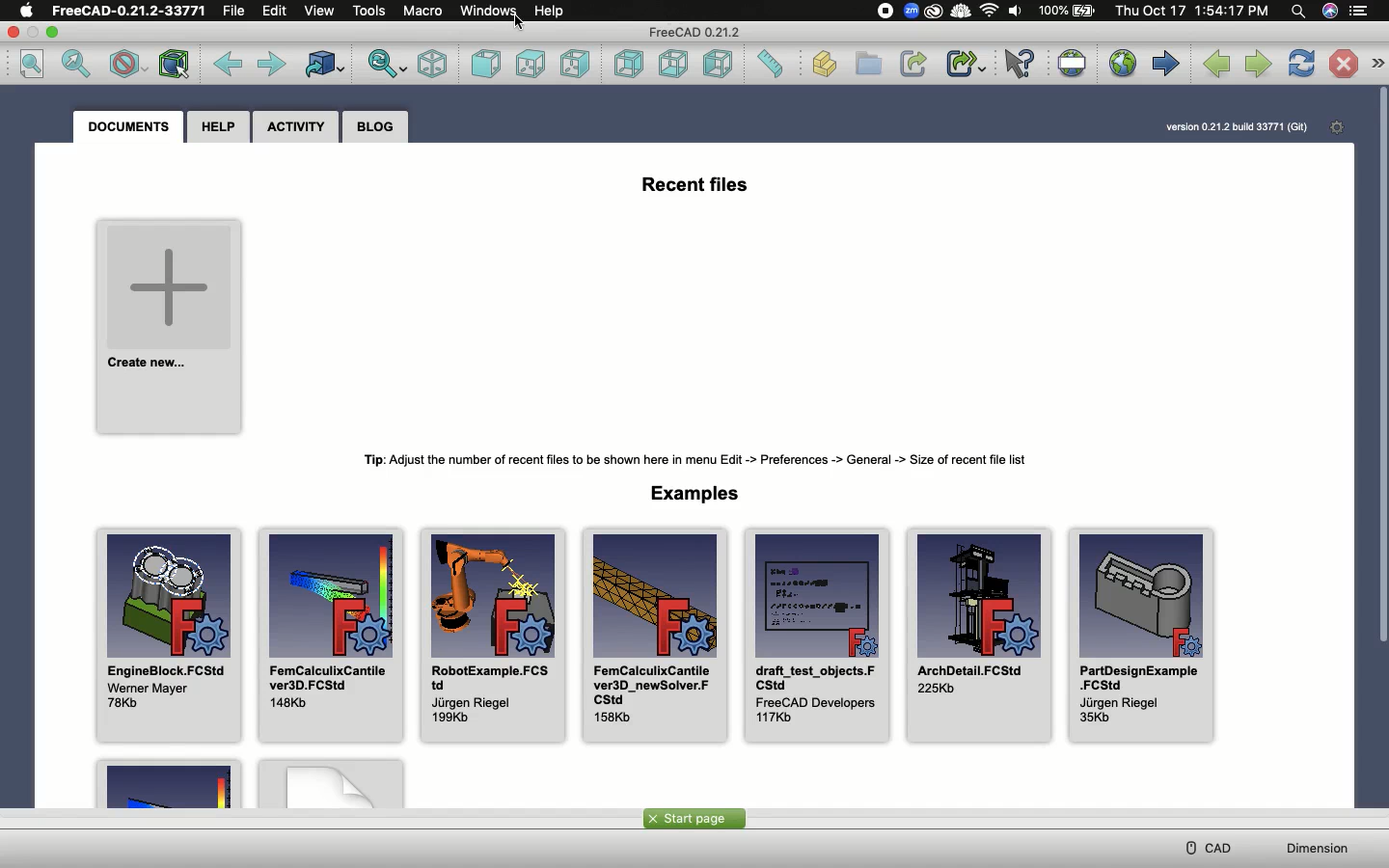 This screenshot has height=868, width=1389. Describe the element at coordinates (217, 127) in the screenshot. I see `Help` at that location.